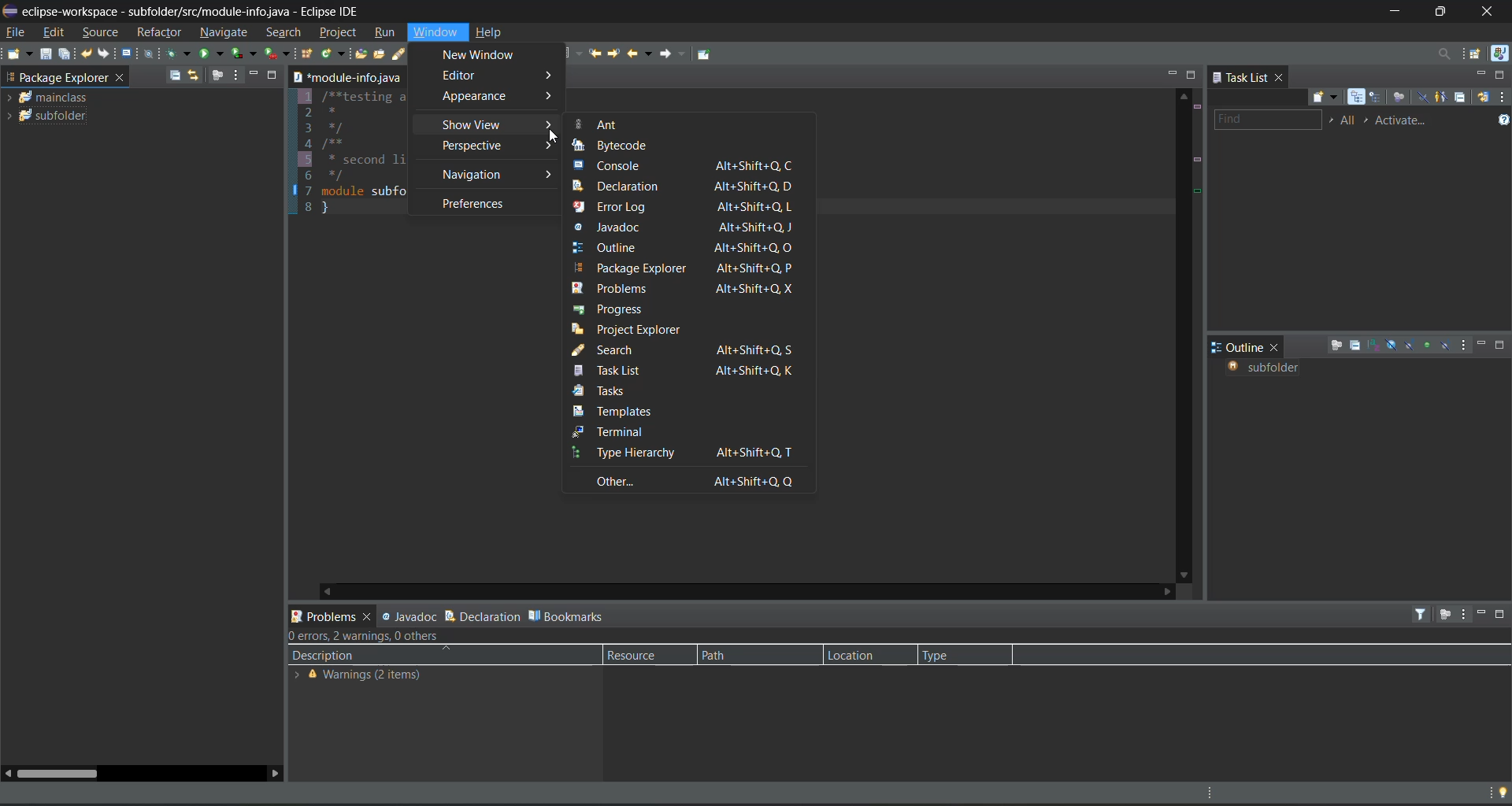 This screenshot has height=806, width=1512. Describe the element at coordinates (212, 53) in the screenshot. I see `run` at that location.